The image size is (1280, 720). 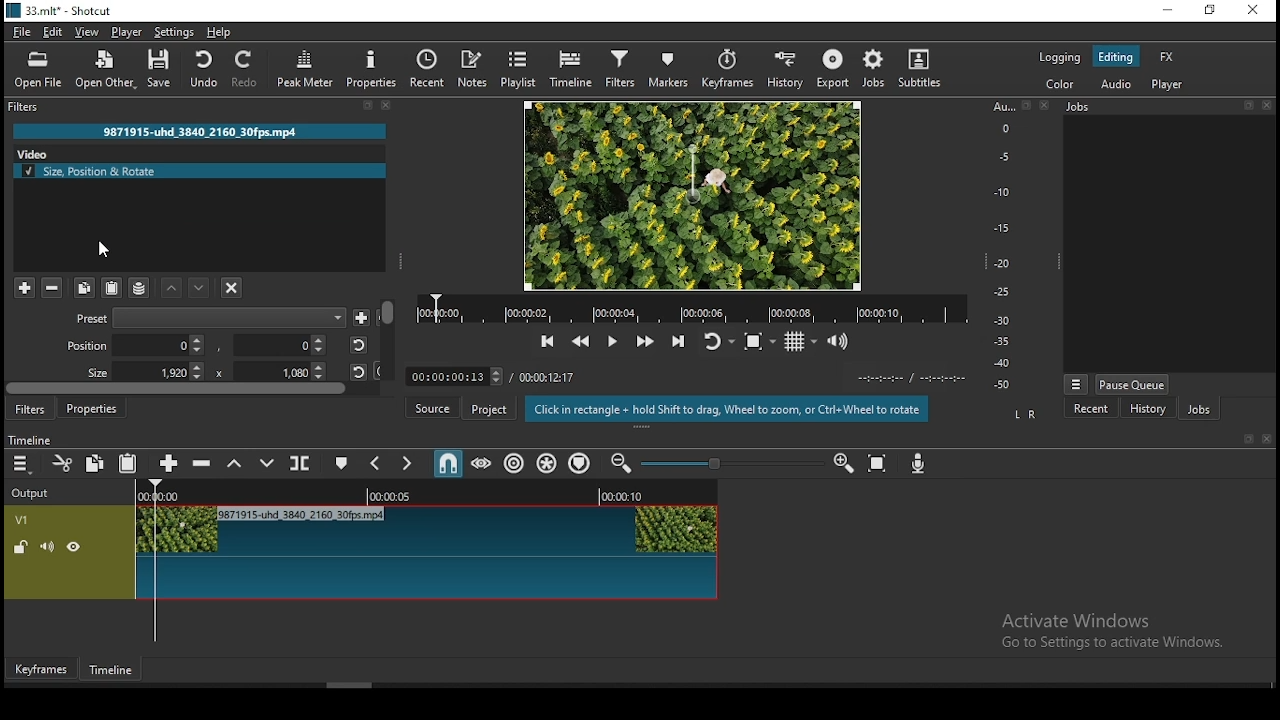 I want to click on paste filter, so click(x=112, y=288).